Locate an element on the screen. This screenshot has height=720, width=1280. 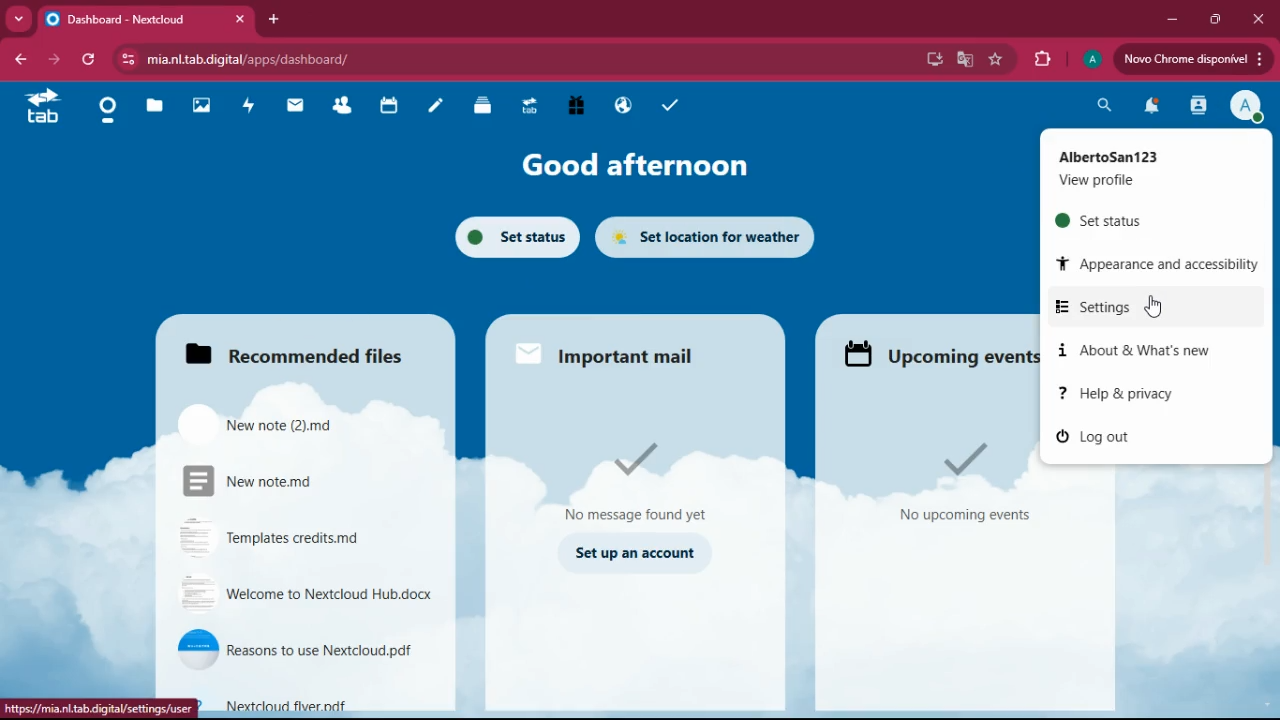
about is located at coordinates (1146, 353).